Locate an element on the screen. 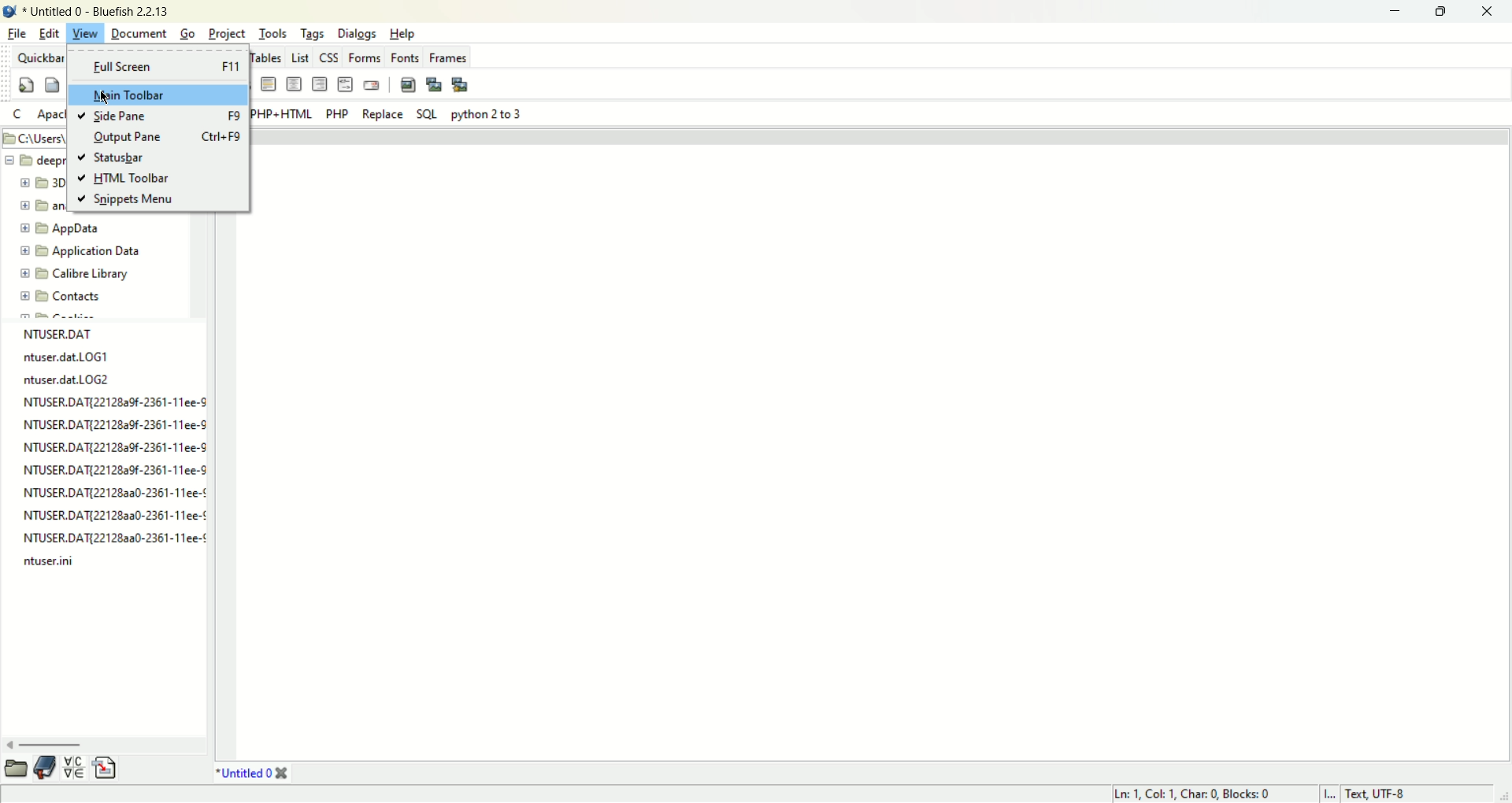  workspace is located at coordinates (880, 453).